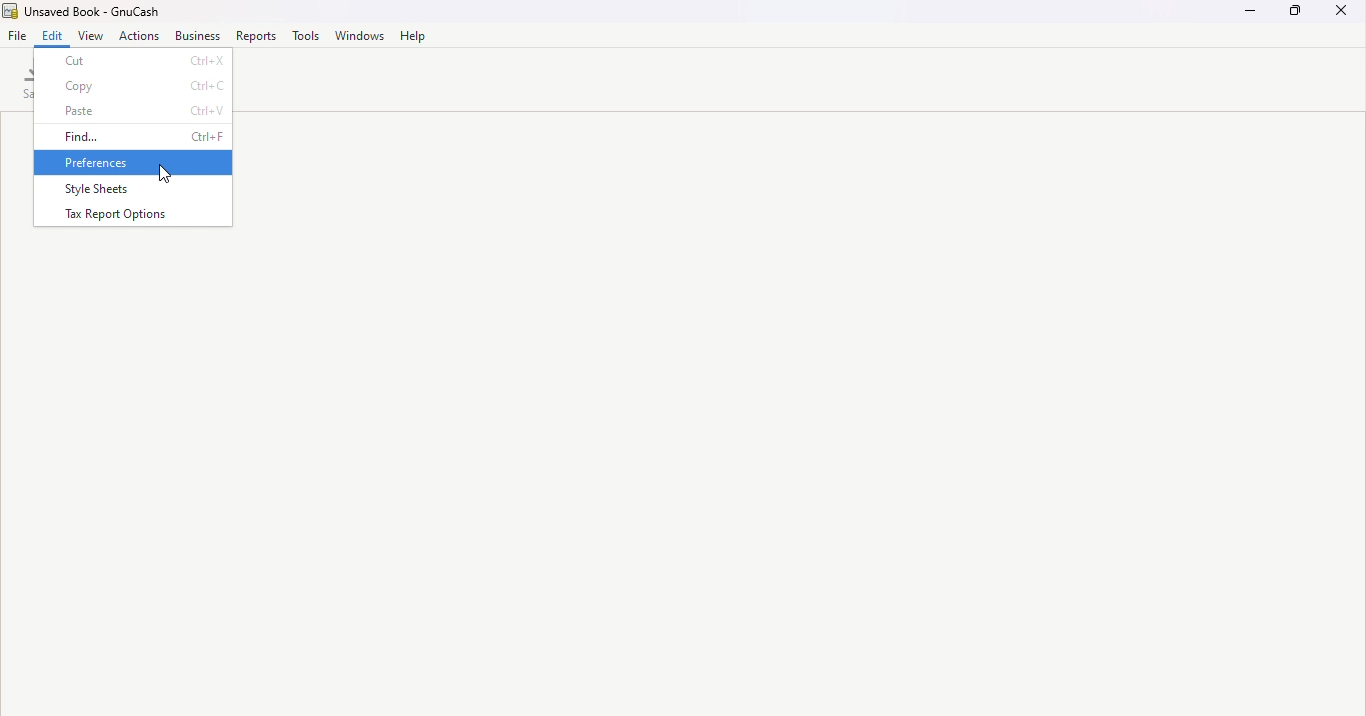 The image size is (1366, 716). Describe the element at coordinates (134, 136) in the screenshot. I see `Find` at that location.